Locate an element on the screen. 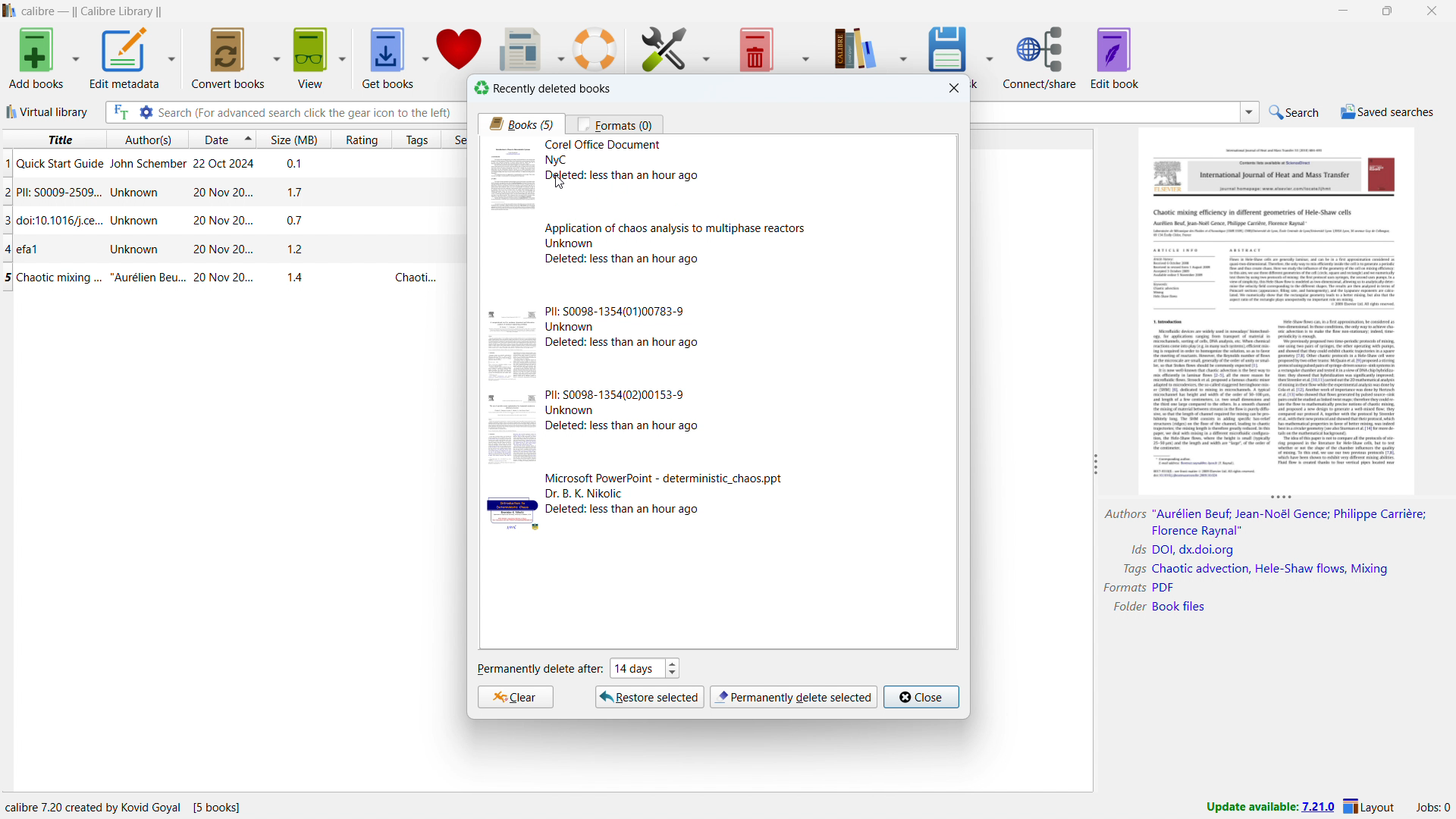 Image resolution: width=1456 pixels, height=819 pixels. single book entry is located at coordinates (225, 249).